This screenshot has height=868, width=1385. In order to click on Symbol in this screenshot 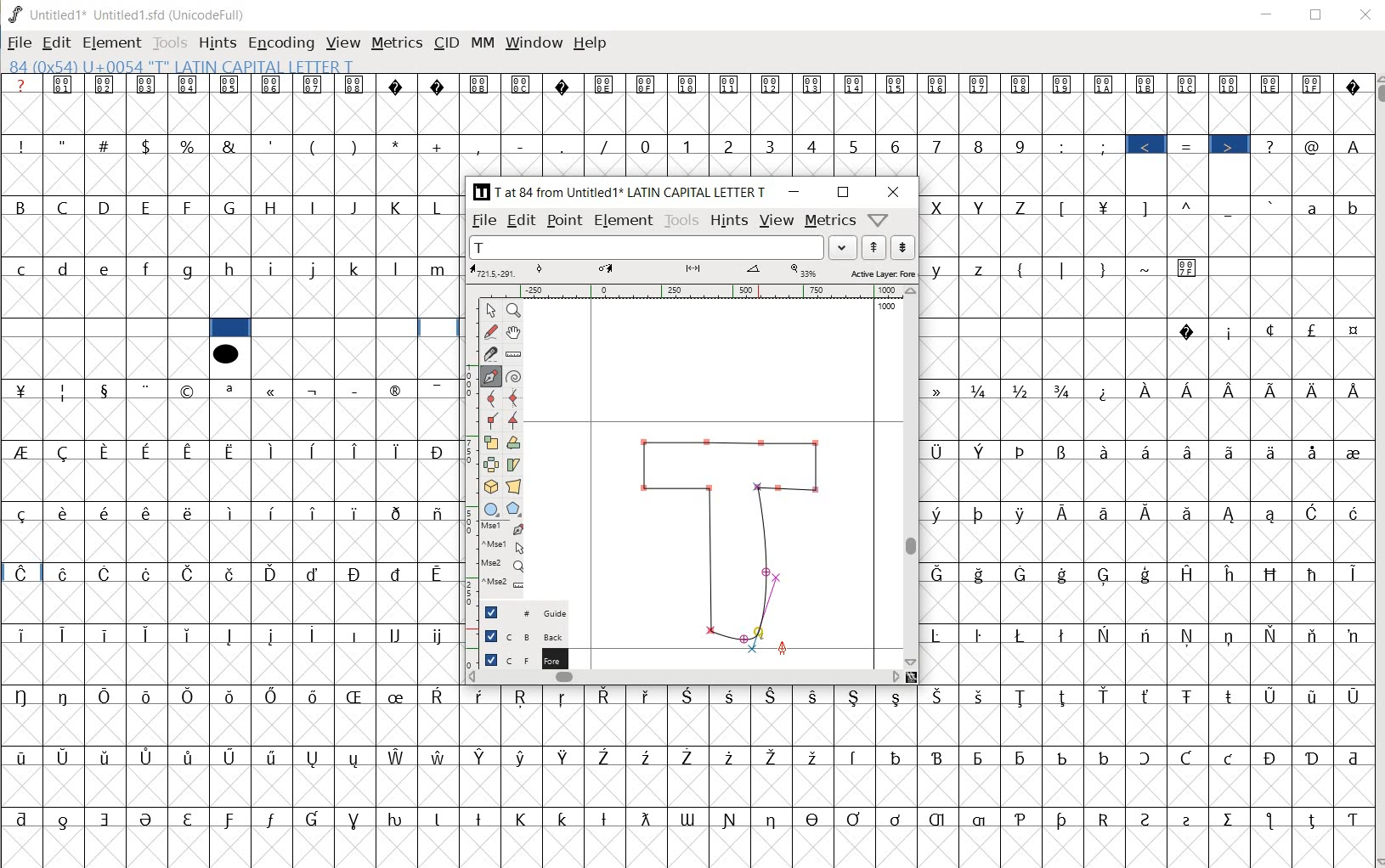, I will do `click(1190, 635)`.